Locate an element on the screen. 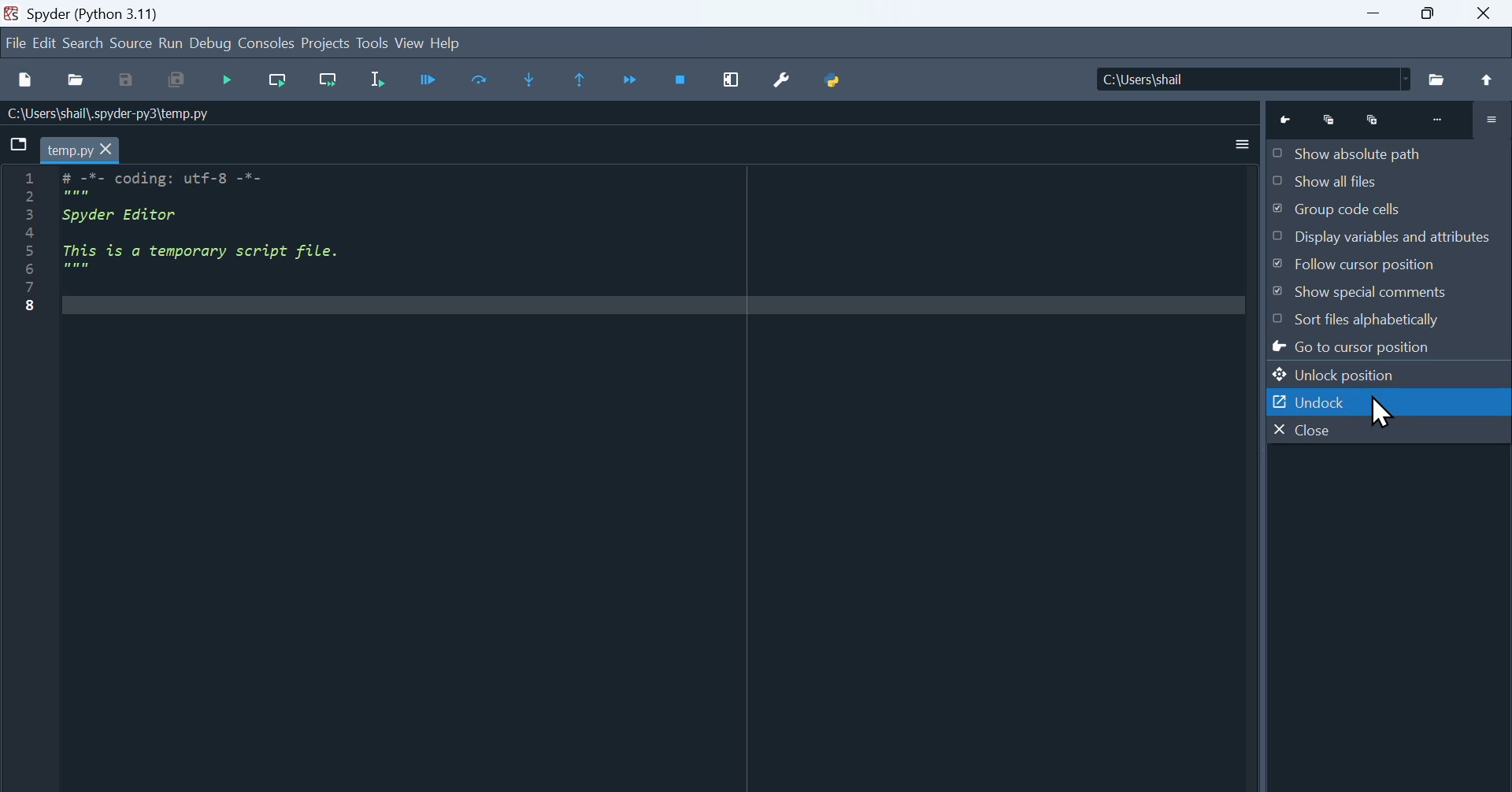 This screenshot has height=792, width=1512. Line Number is located at coordinates (31, 242).